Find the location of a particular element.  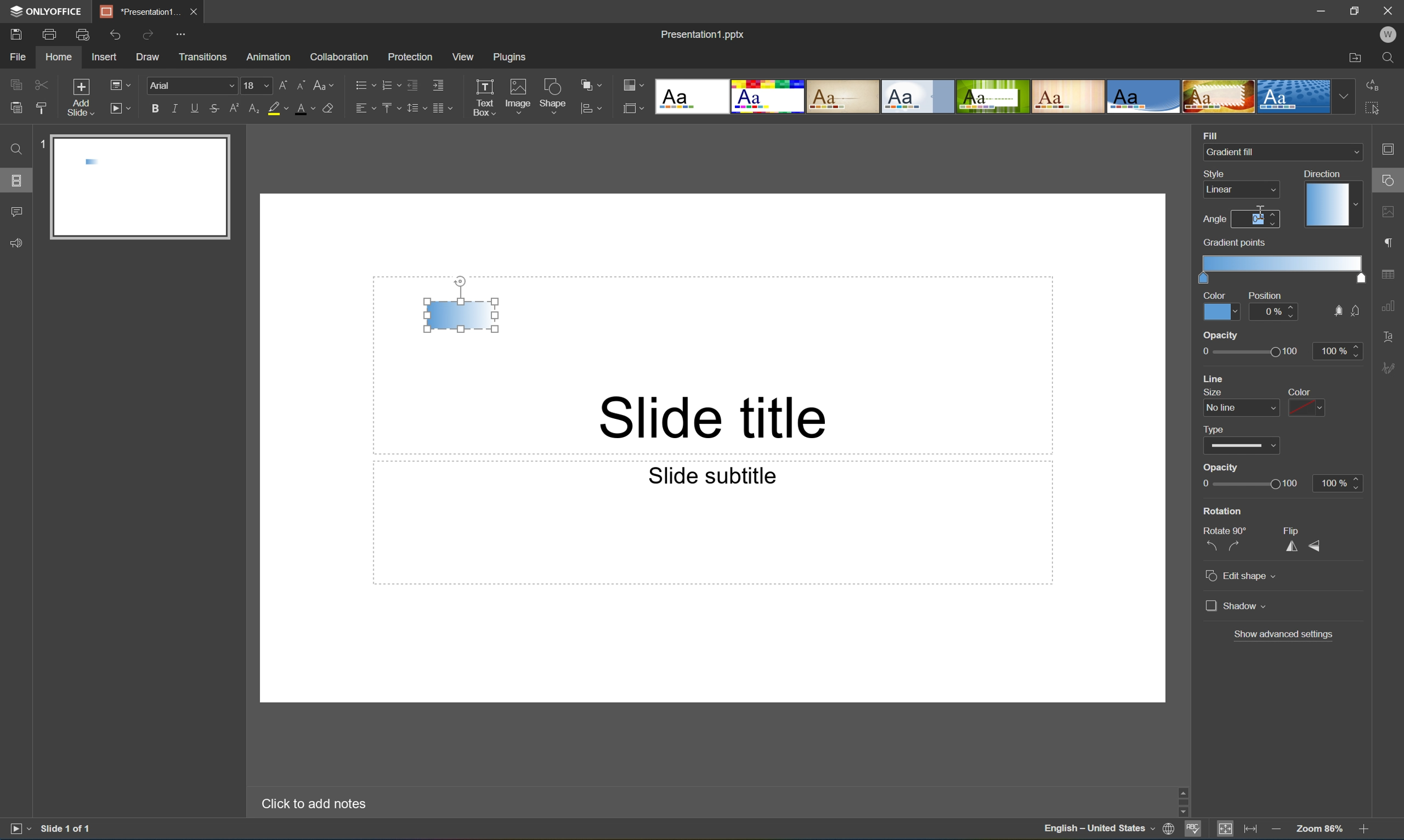

Customize quick access toolbar is located at coordinates (185, 33).